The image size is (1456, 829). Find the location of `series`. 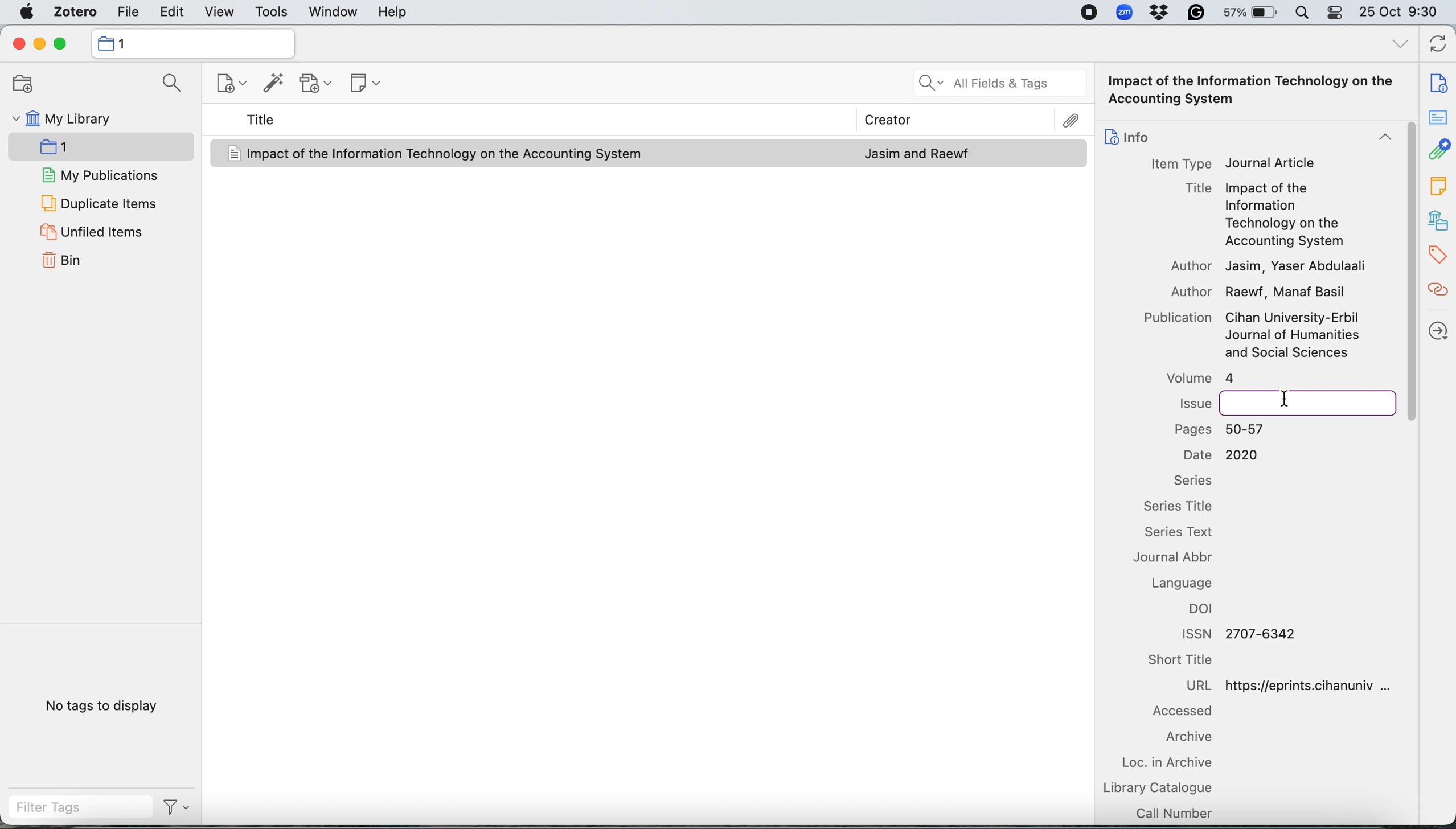

series is located at coordinates (1191, 480).